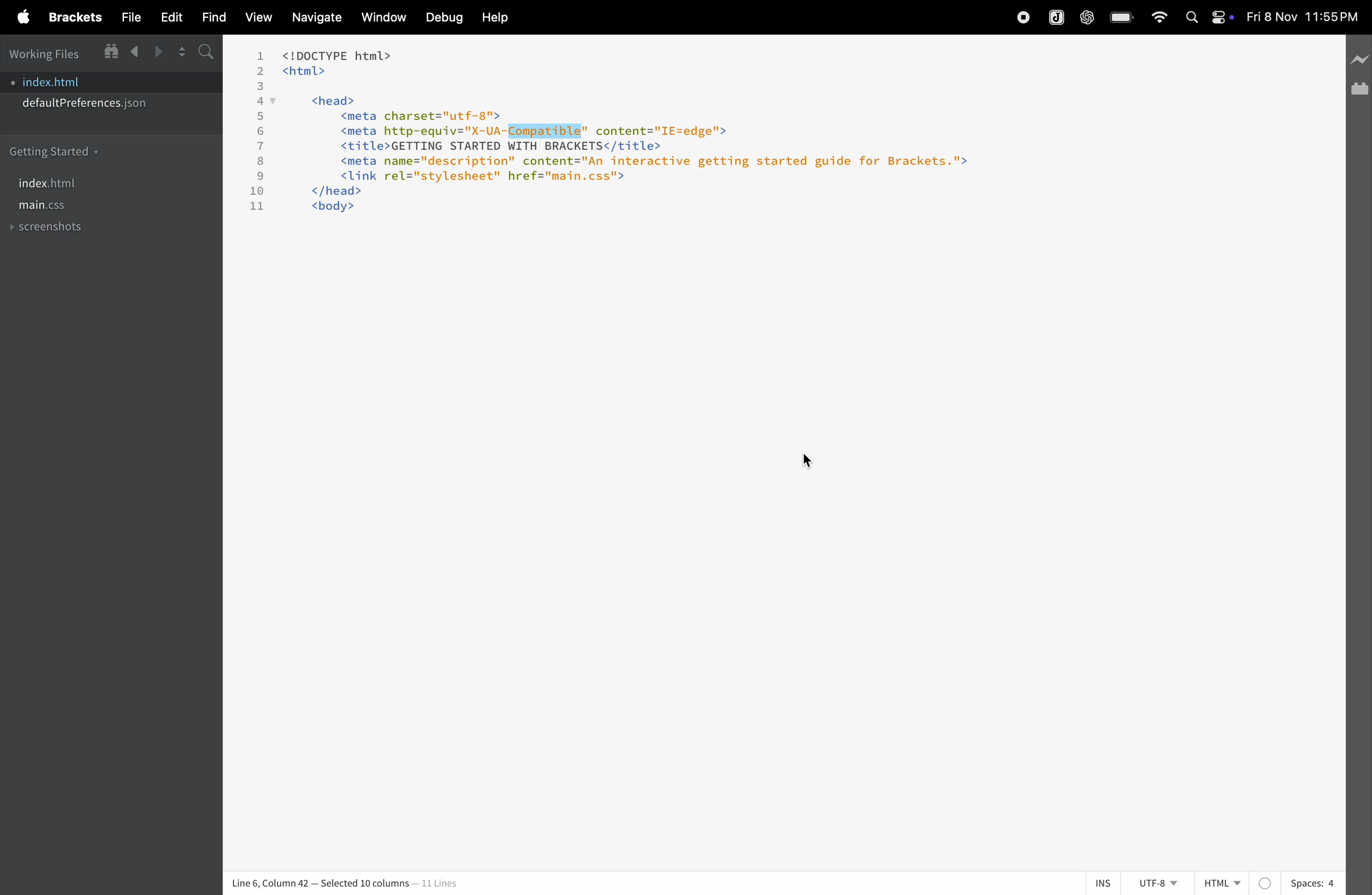 This screenshot has height=895, width=1372. Describe the element at coordinates (111, 52) in the screenshot. I see `show in file tree` at that location.